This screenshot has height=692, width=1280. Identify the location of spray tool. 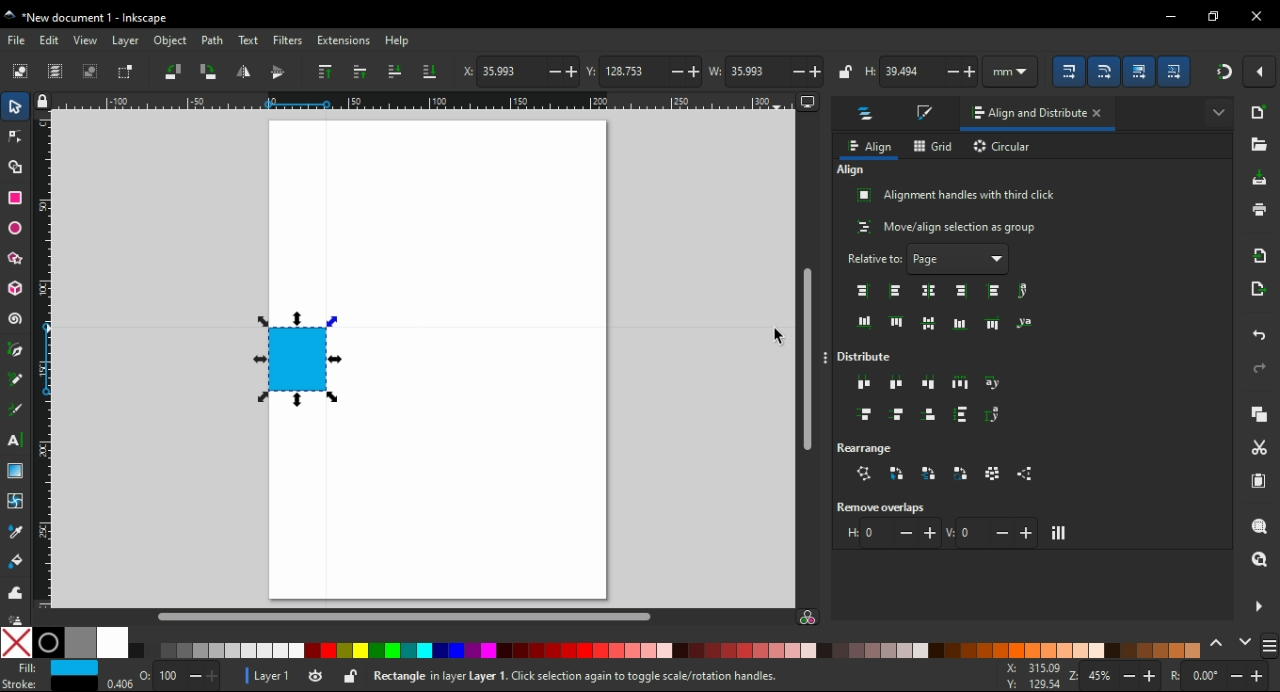
(18, 616).